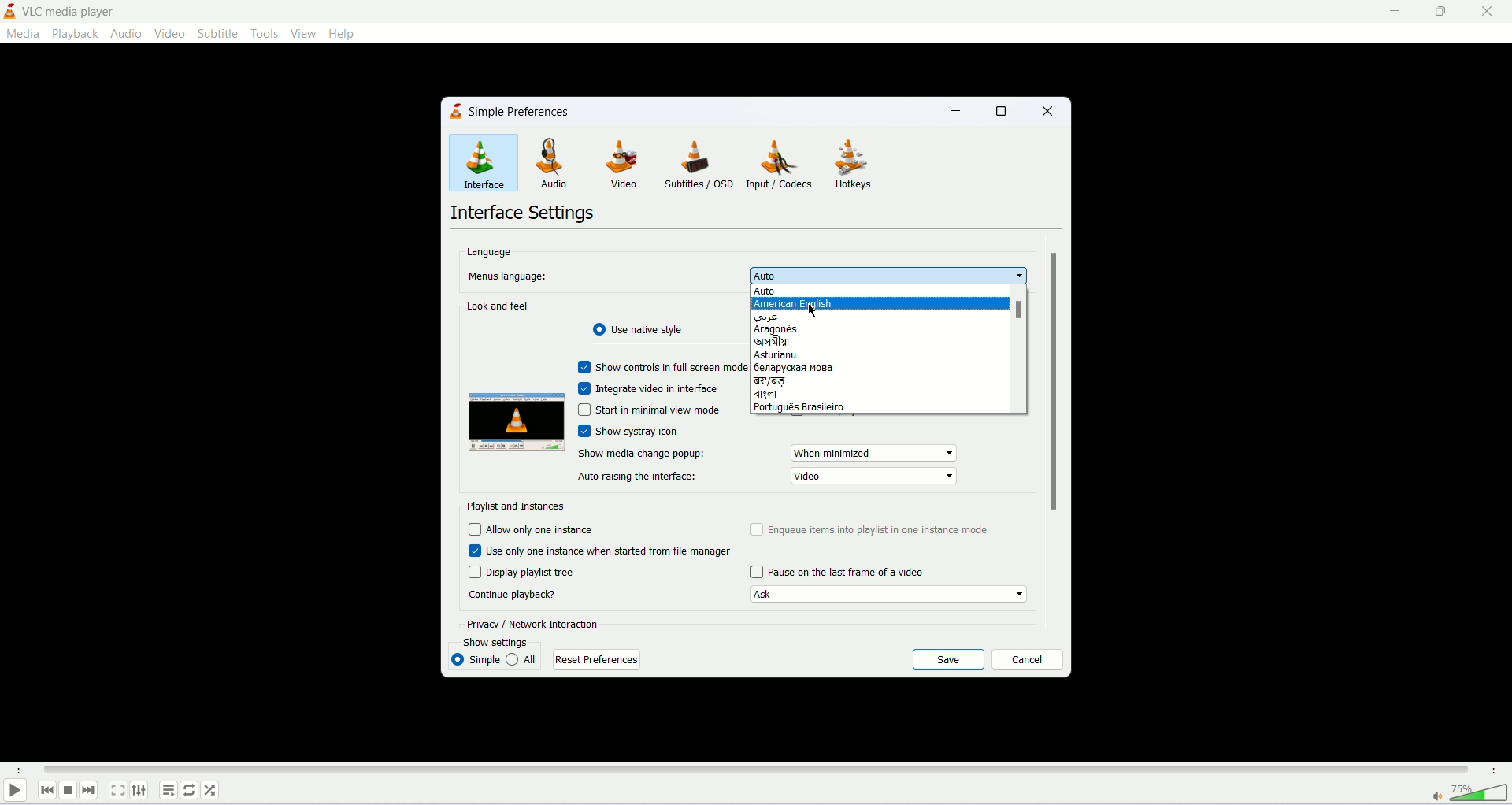  What do you see at coordinates (521, 113) in the screenshot?
I see `simple preferences` at bounding box center [521, 113].